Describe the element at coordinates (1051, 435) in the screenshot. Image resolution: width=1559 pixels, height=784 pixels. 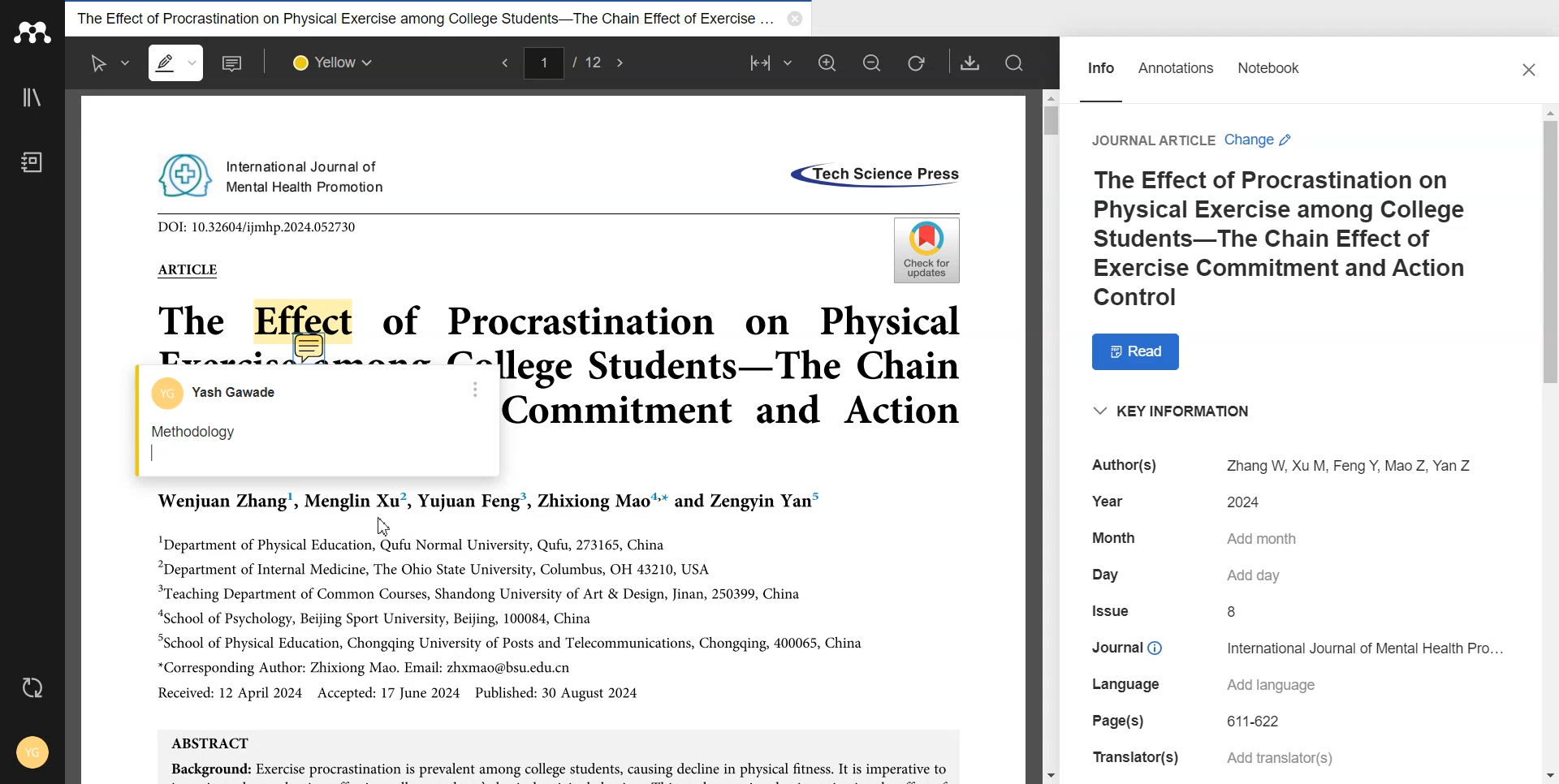
I see `Vertical Scroll bar` at that location.